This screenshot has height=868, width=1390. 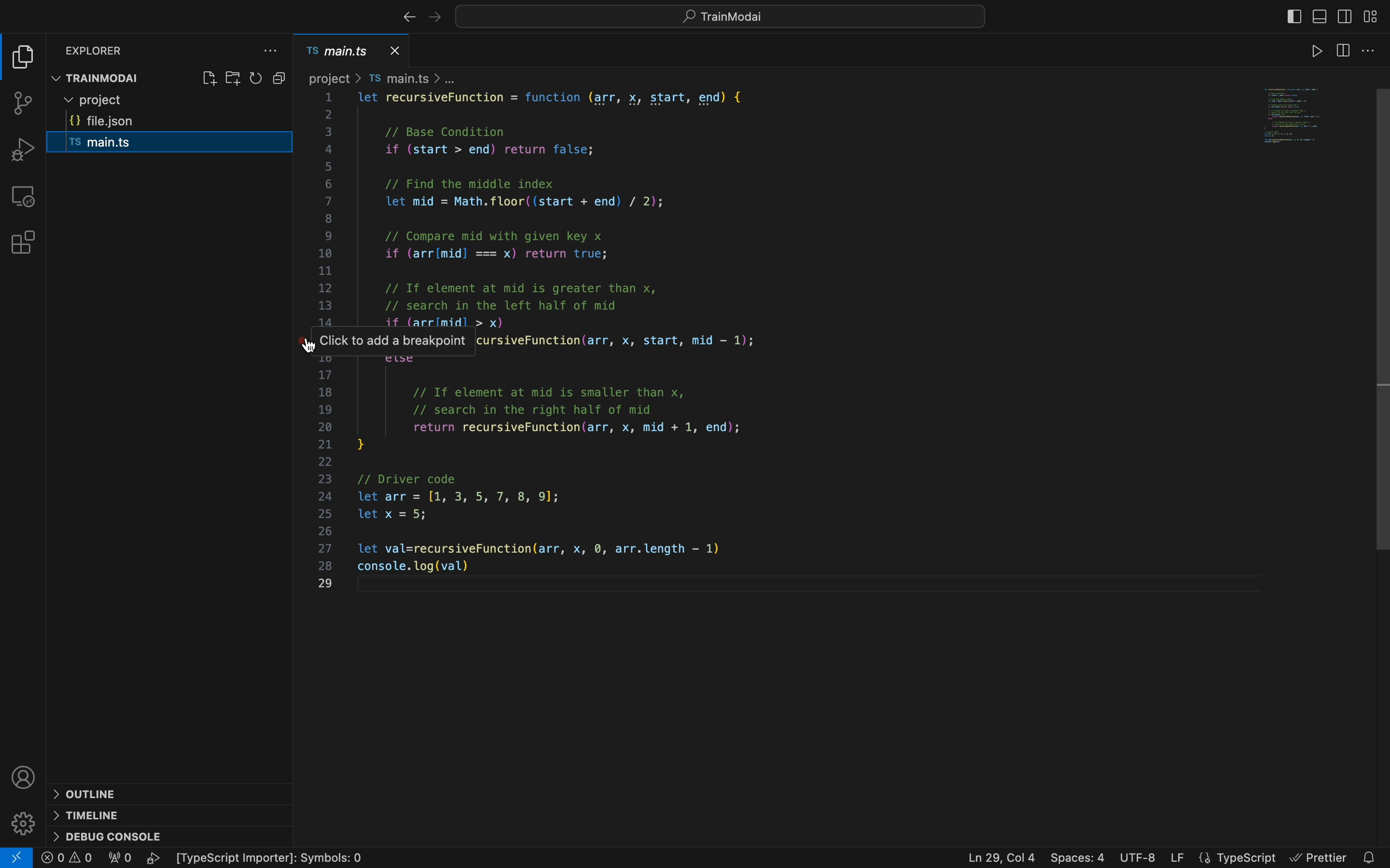 I want to click on settings, so click(x=22, y=826).